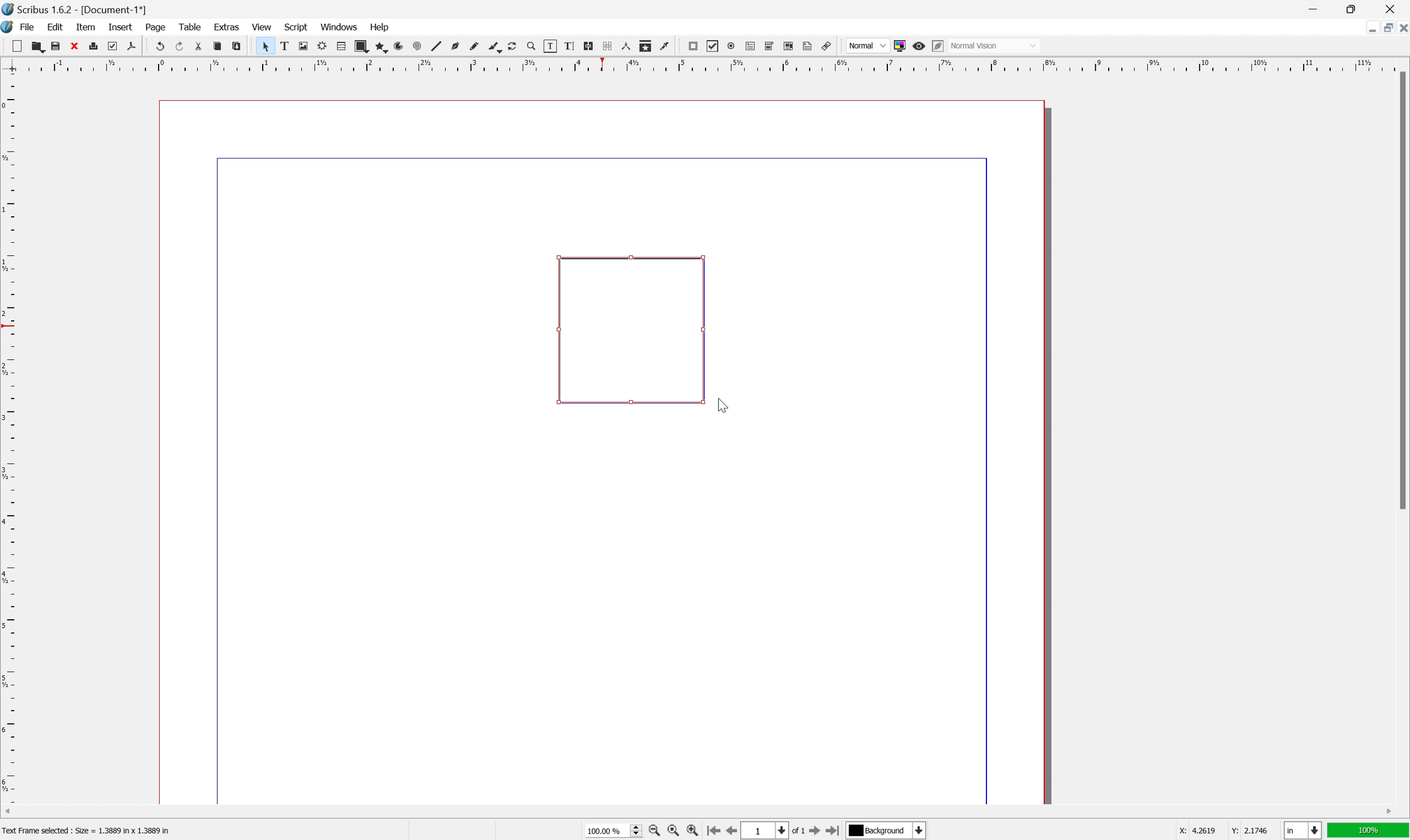  What do you see at coordinates (284, 46) in the screenshot?
I see `text frame` at bounding box center [284, 46].